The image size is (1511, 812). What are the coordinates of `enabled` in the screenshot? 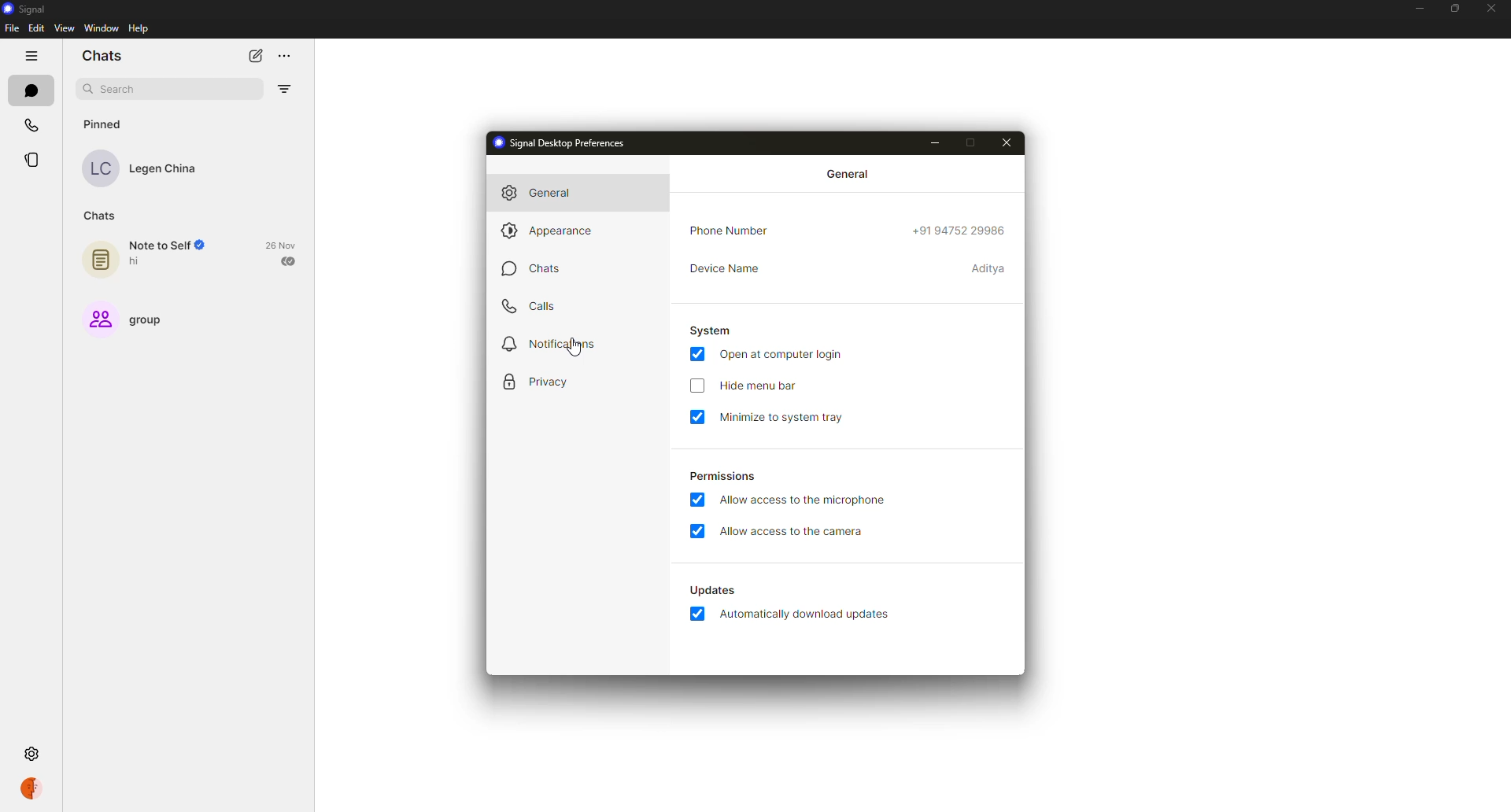 It's located at (695, 613).